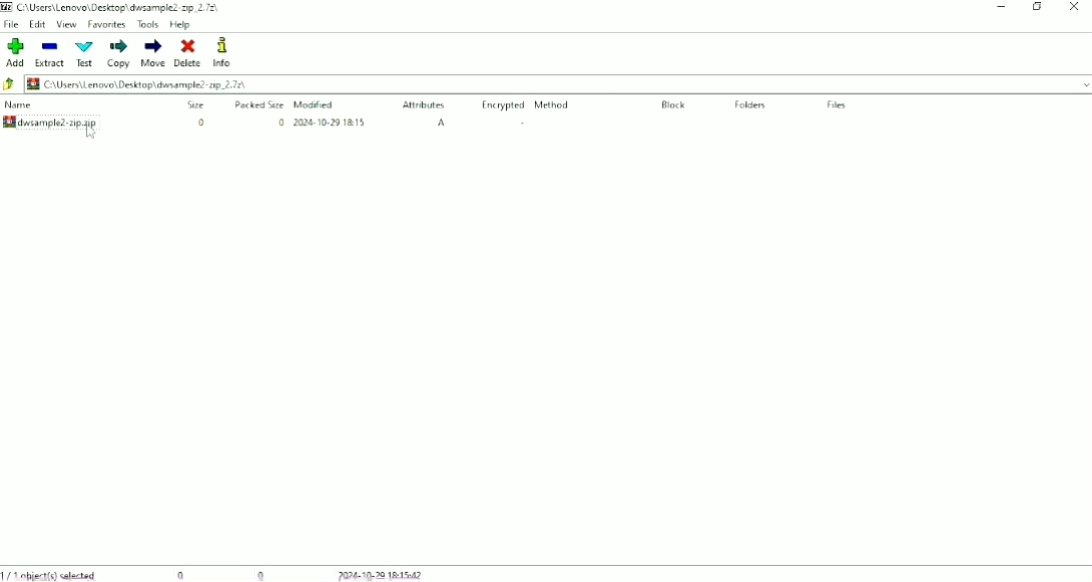  I want to click on Copy, so click(119, 53).